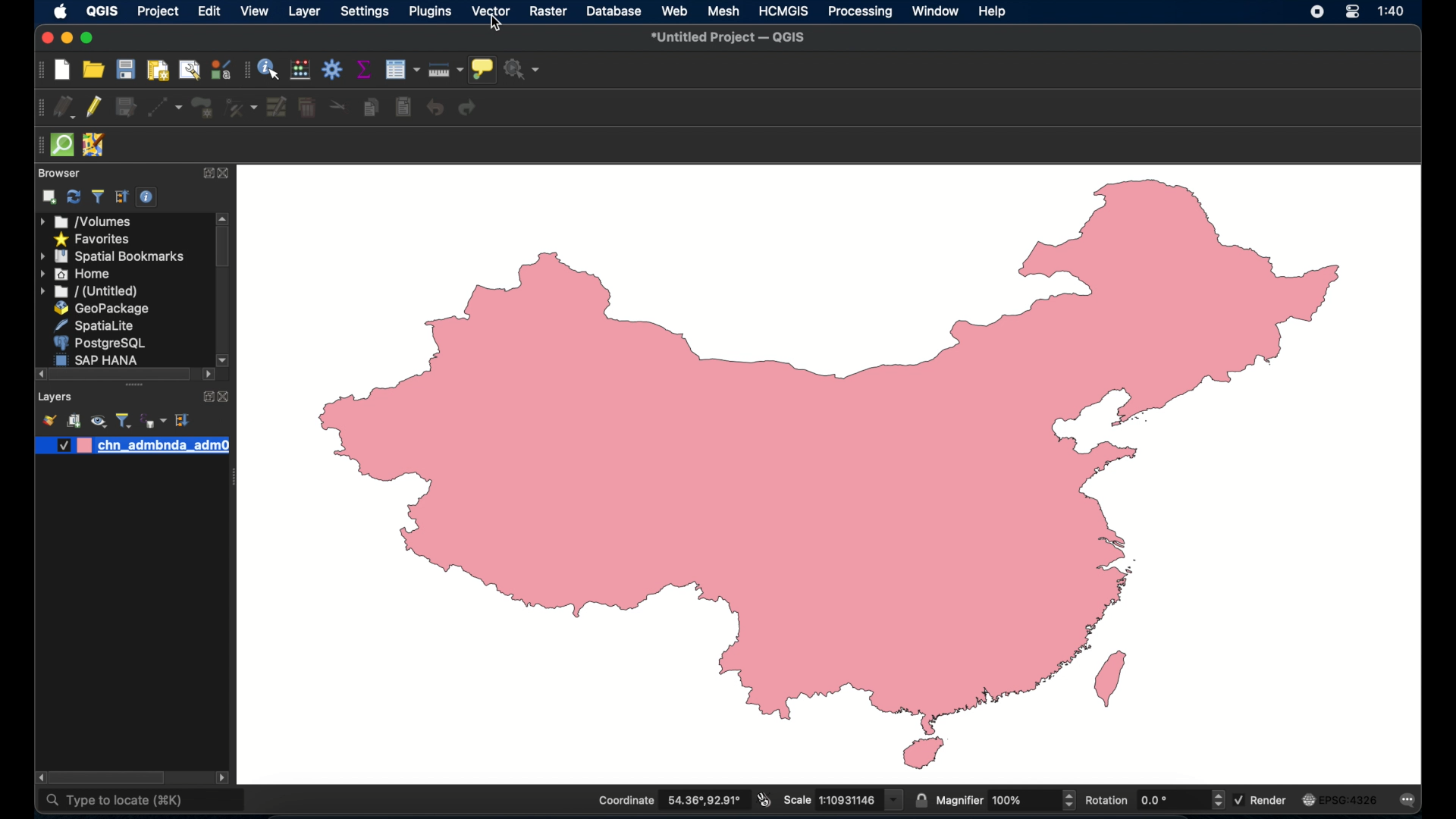 This screenshot has width=1456, height=819. Describe the element at coordinates (1410, 800) in the screenshot. I see `messages` at that location.